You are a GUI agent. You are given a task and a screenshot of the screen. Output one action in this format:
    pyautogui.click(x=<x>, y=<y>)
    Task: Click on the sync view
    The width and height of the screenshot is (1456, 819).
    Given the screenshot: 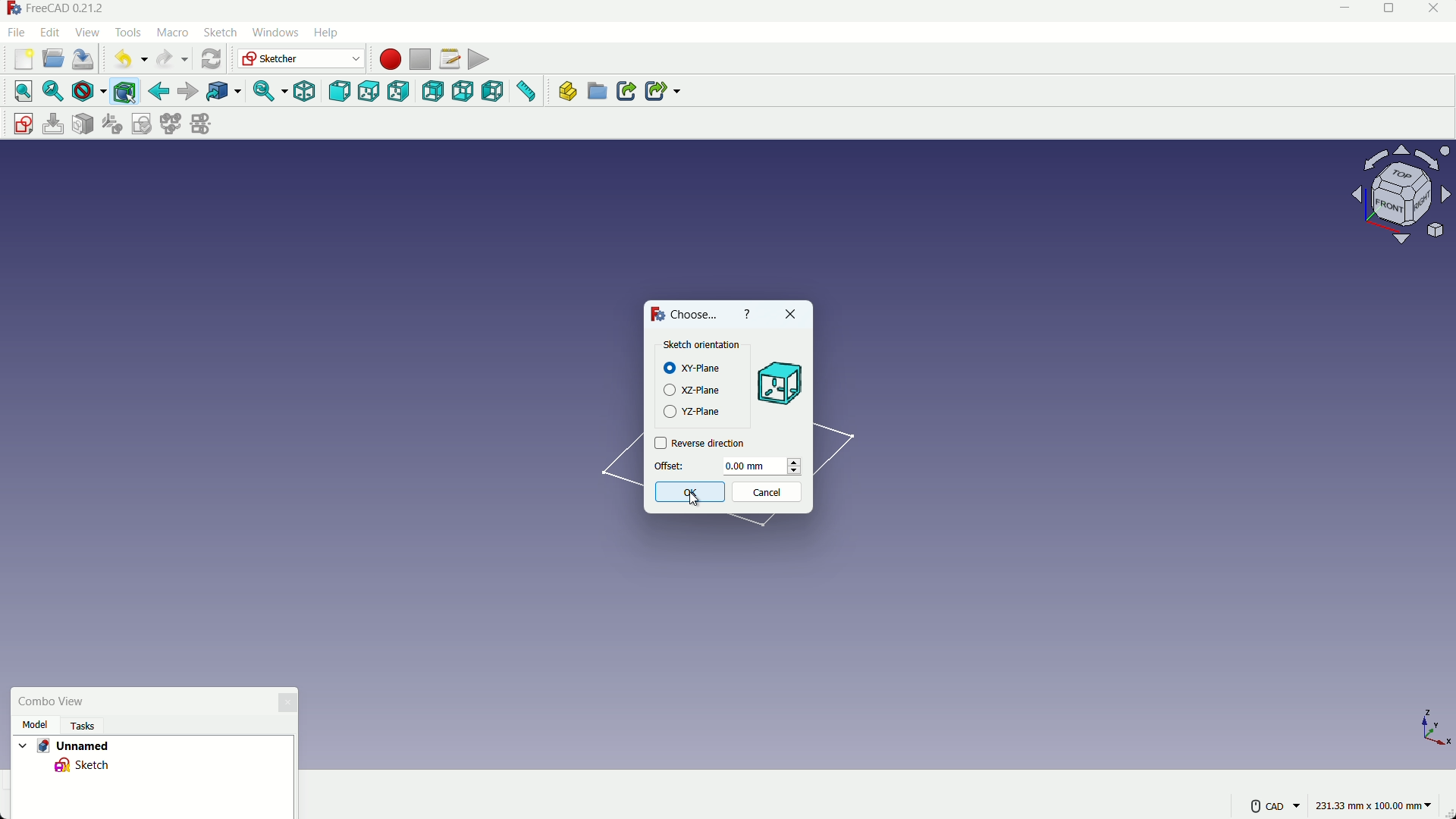 What is the action you would take?
    pyautogui.click(x=267, y=92)
    